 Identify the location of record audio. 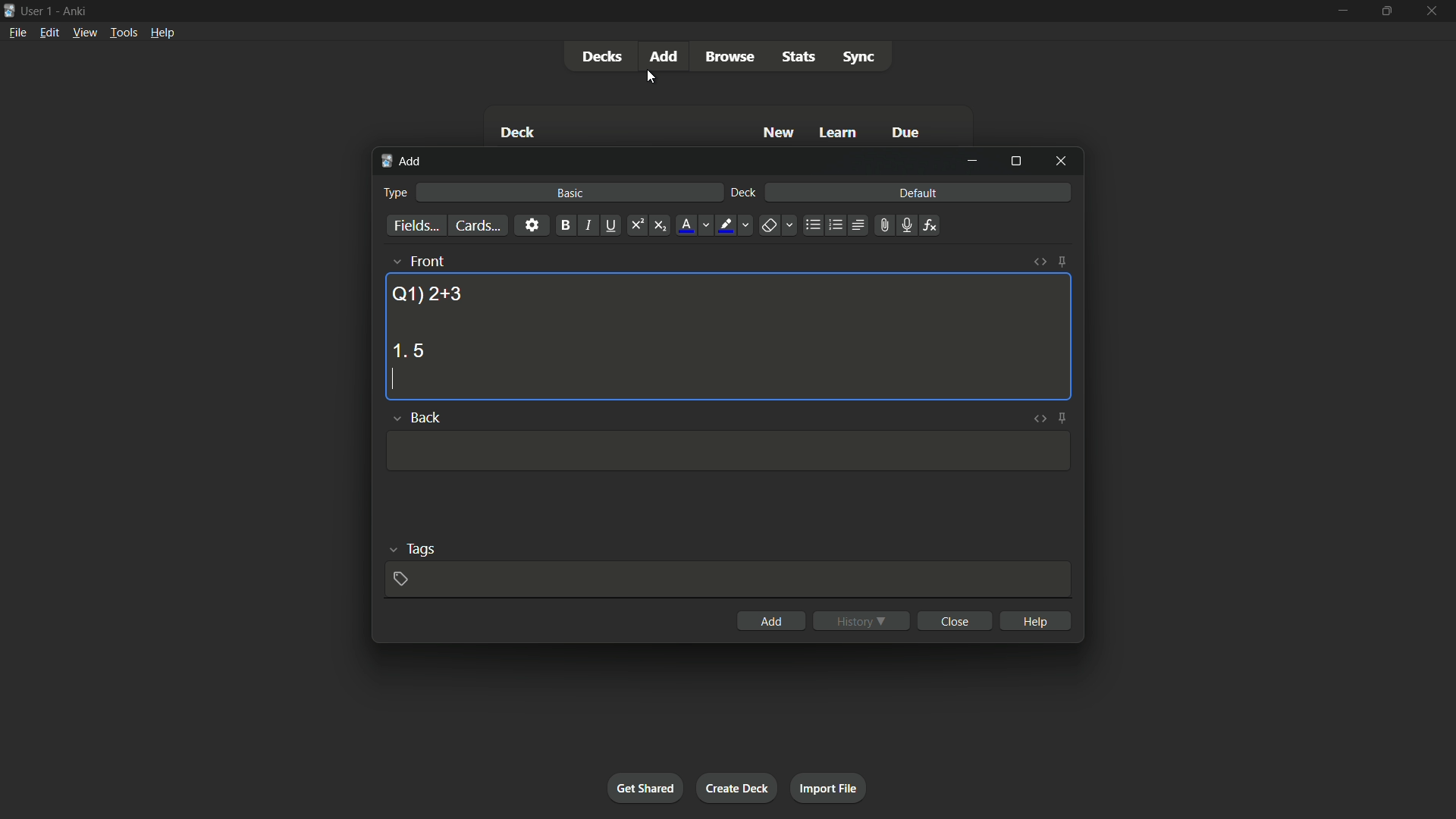
(905, 226).